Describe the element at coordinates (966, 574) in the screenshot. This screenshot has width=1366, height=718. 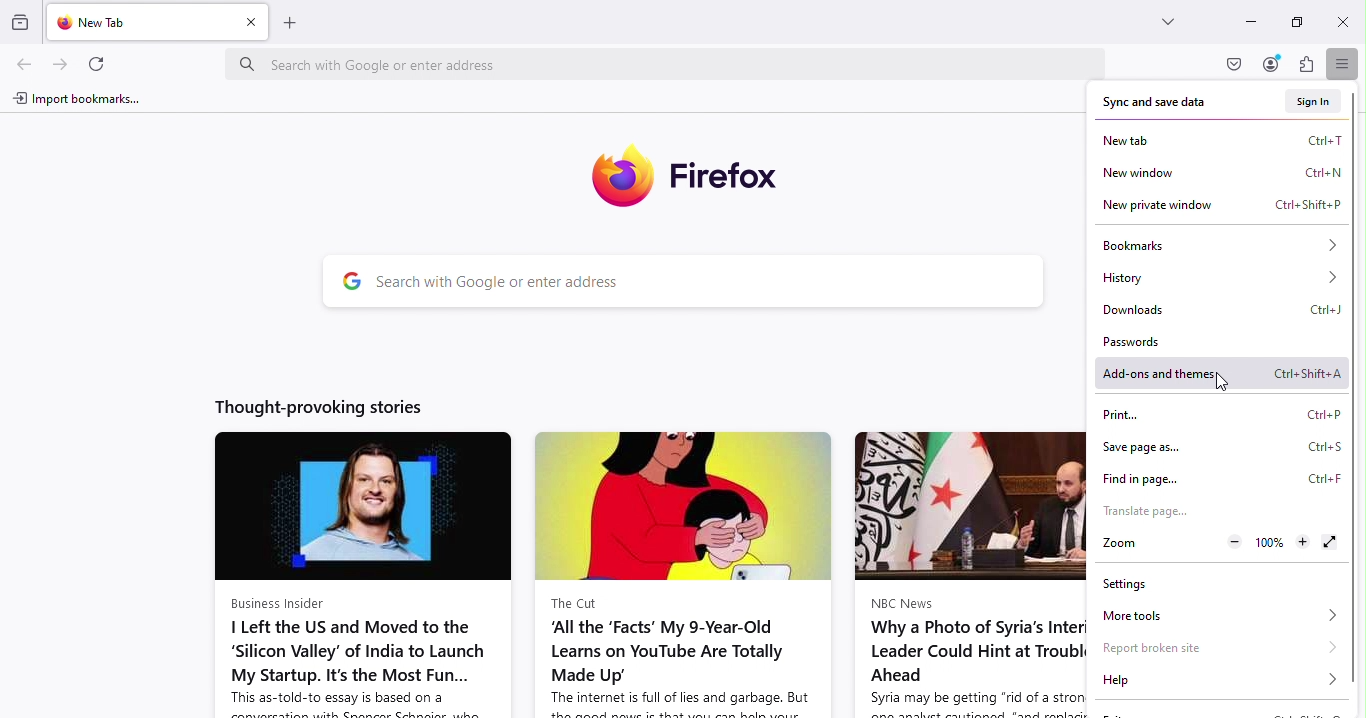
I see `news article from nbc news` at that location.